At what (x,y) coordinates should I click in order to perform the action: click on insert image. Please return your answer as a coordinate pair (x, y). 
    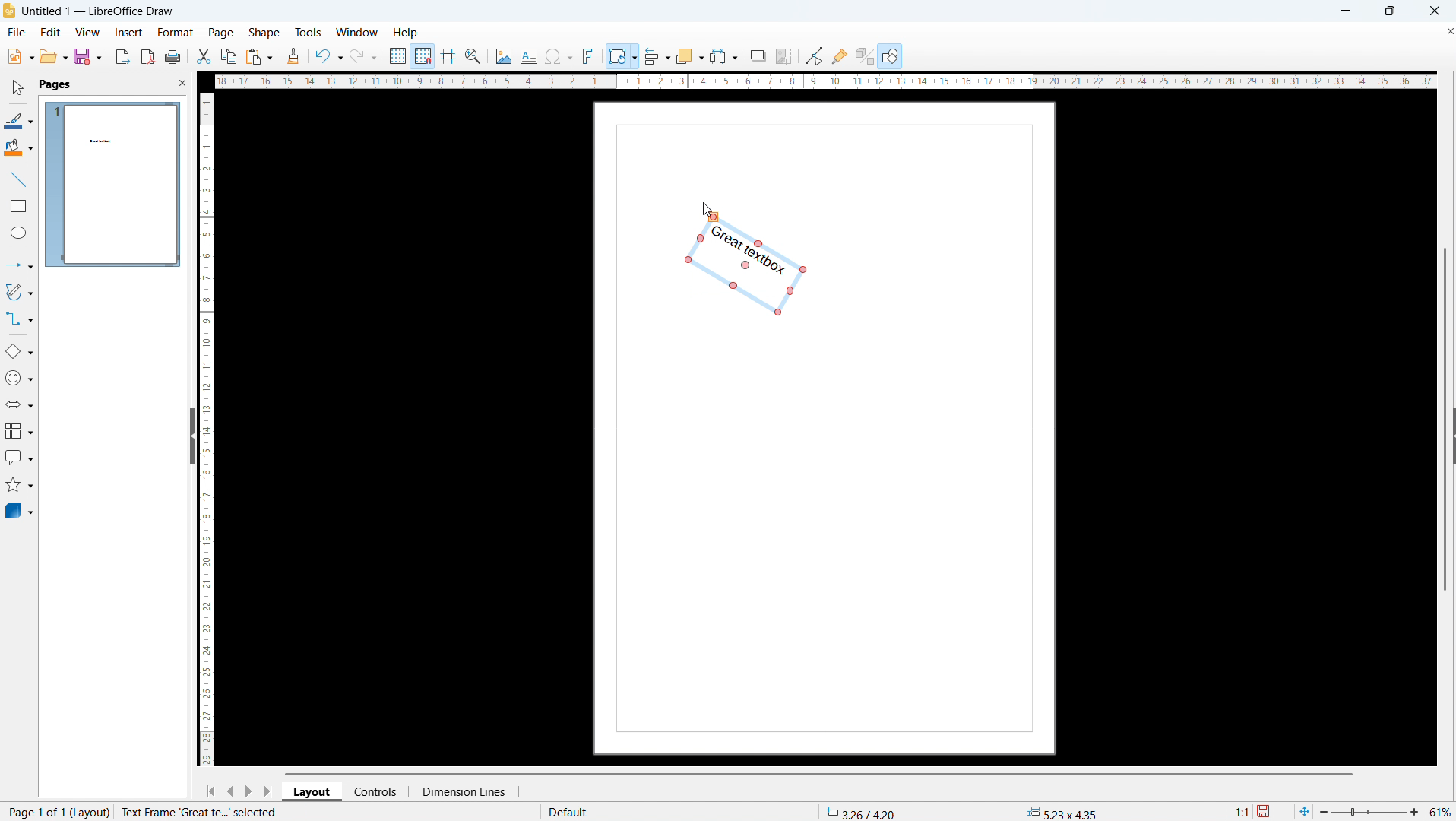
    Looking at the image, I should click on (504, 55).